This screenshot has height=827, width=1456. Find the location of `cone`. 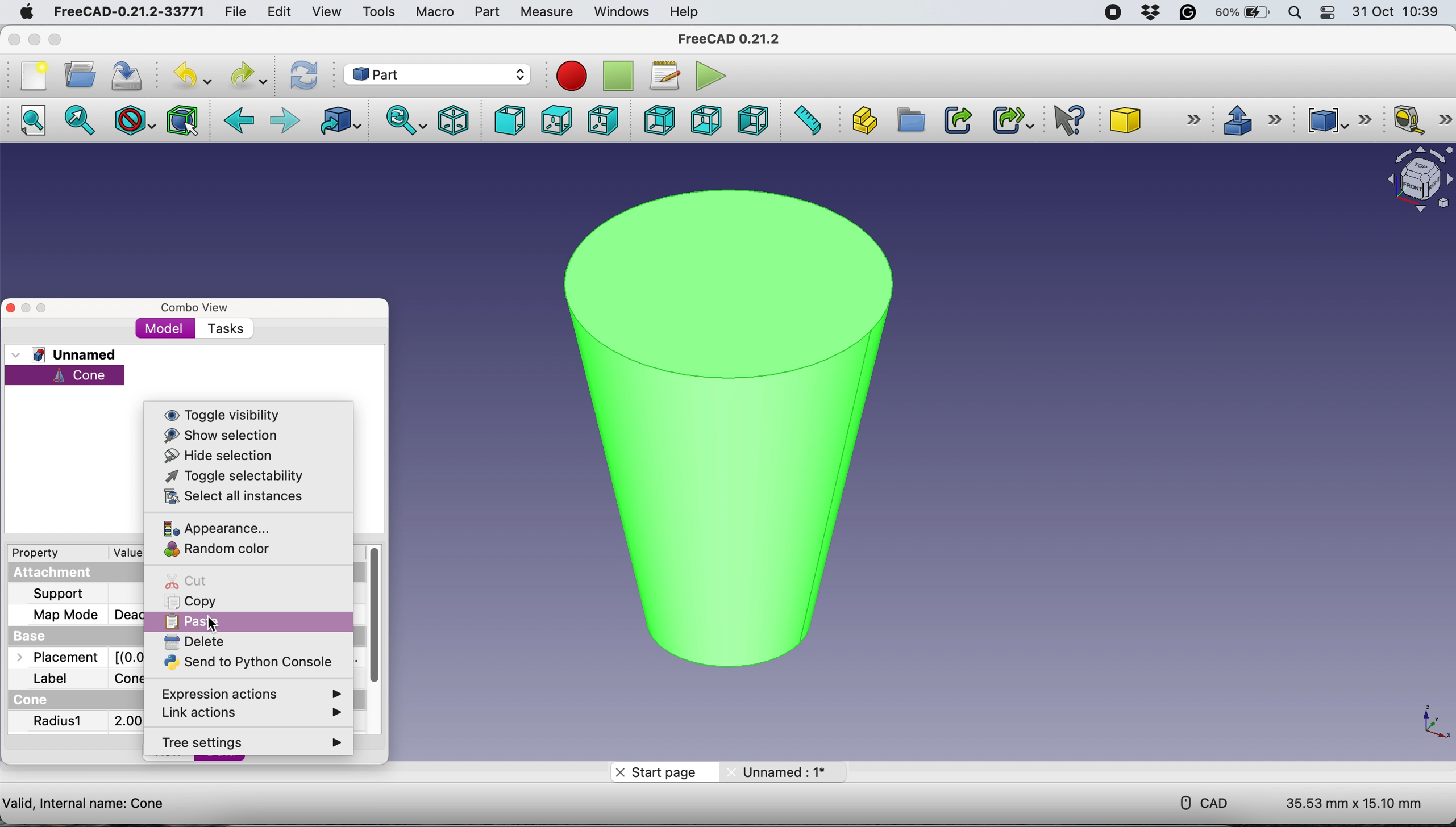

cone is located at coordinates (720, 420).